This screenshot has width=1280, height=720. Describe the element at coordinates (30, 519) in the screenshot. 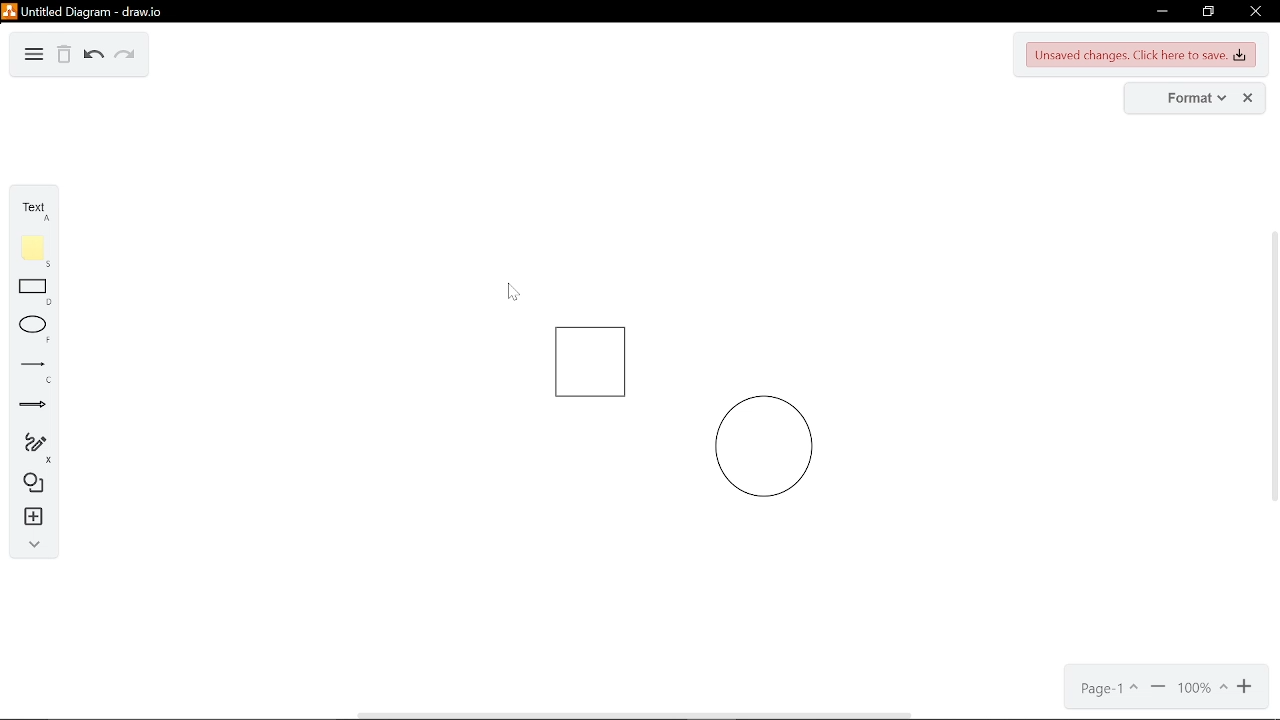

I see `insert` at that location.